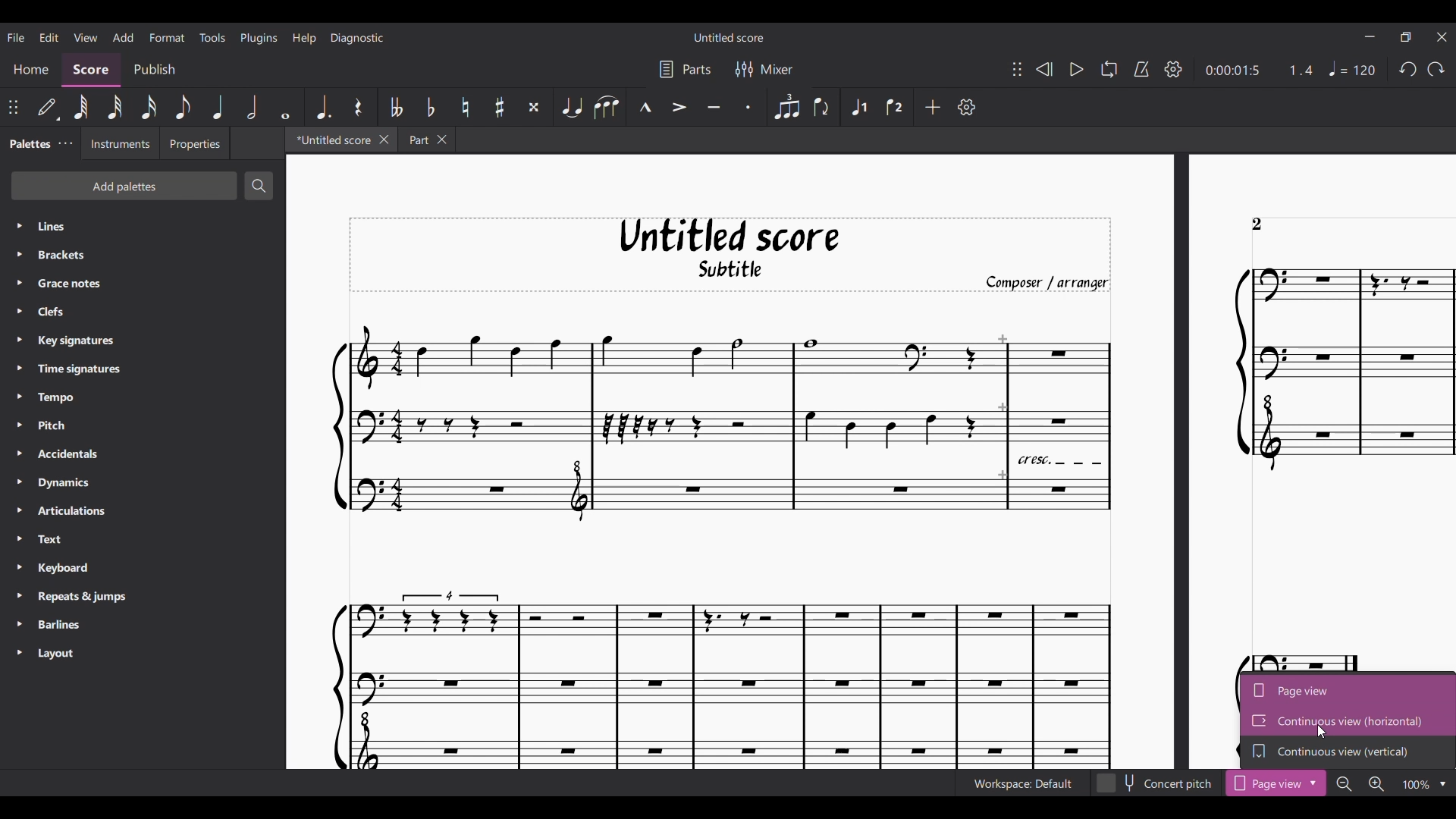  I want to click on Current ratio and duration, so click(1260, 70).